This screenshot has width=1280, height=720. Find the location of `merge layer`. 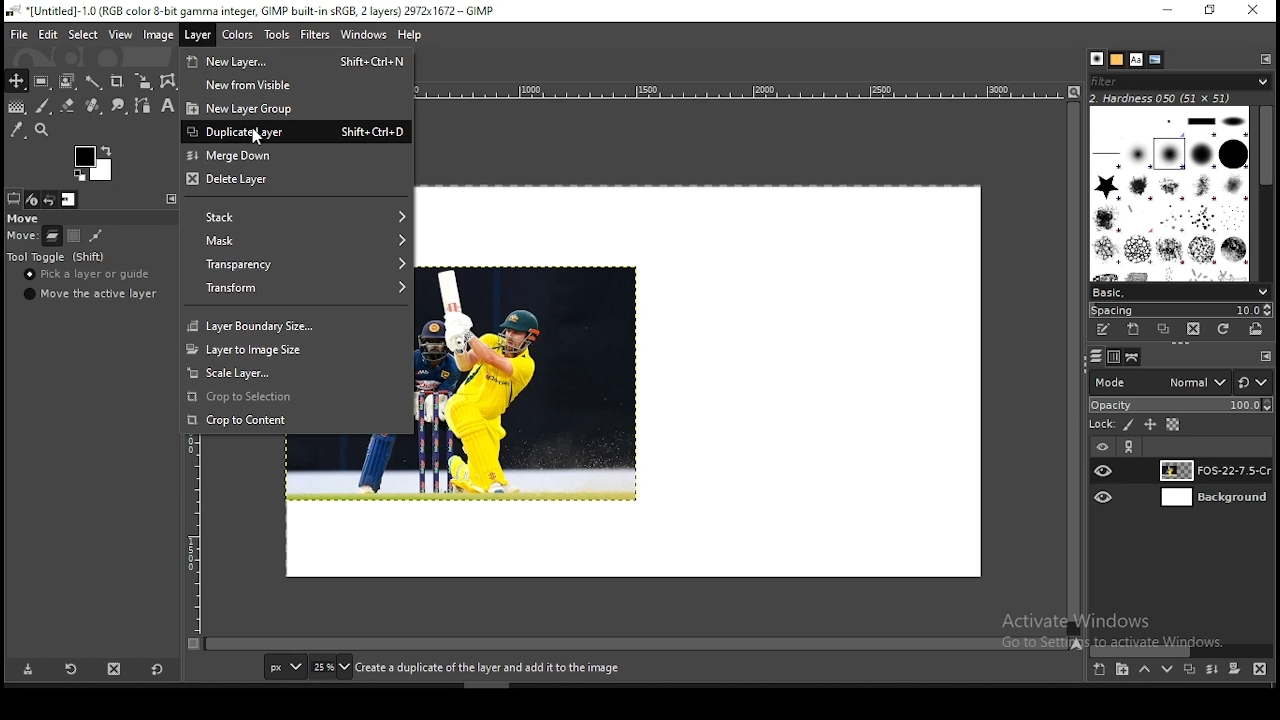

merge layer is located at coordinates (1212, 669).